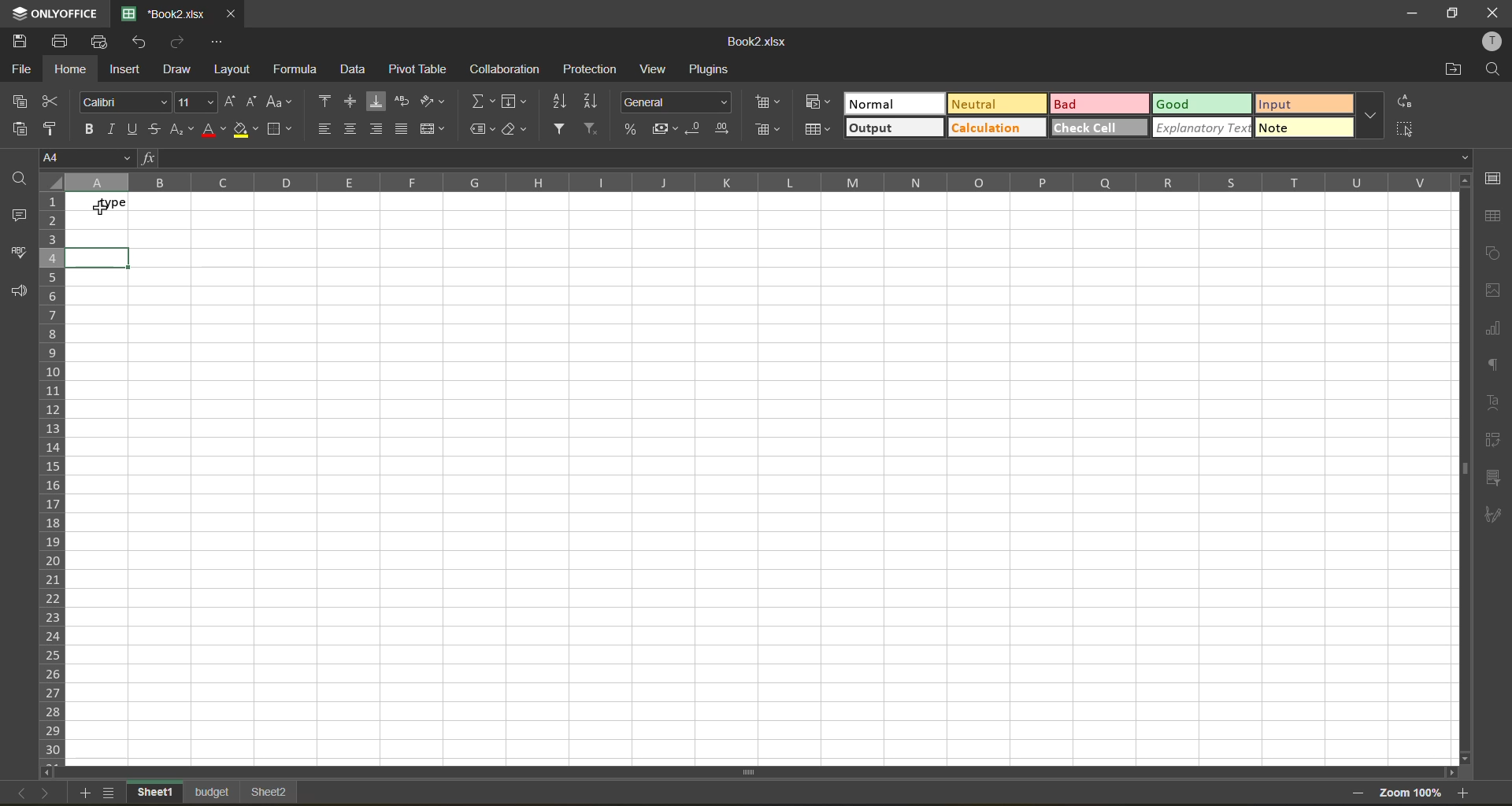 The image size is (1512, 806). What do you see at coordinates (22, 104) in the screenshot?
I see `paste` at bounding box center [22, 104].